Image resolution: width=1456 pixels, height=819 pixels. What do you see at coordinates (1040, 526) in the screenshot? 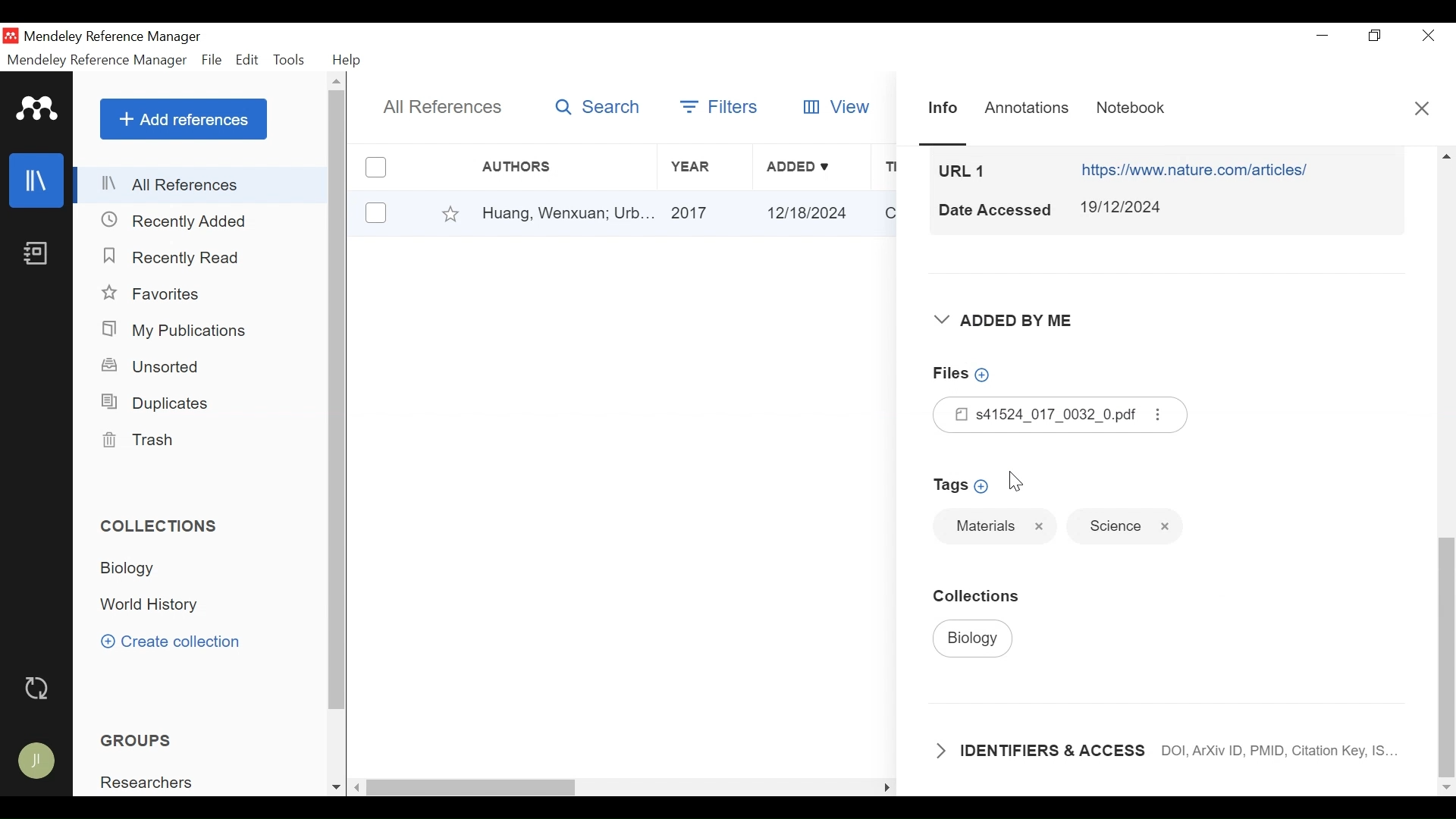
I see `close` at bounding box center [1040, 526].